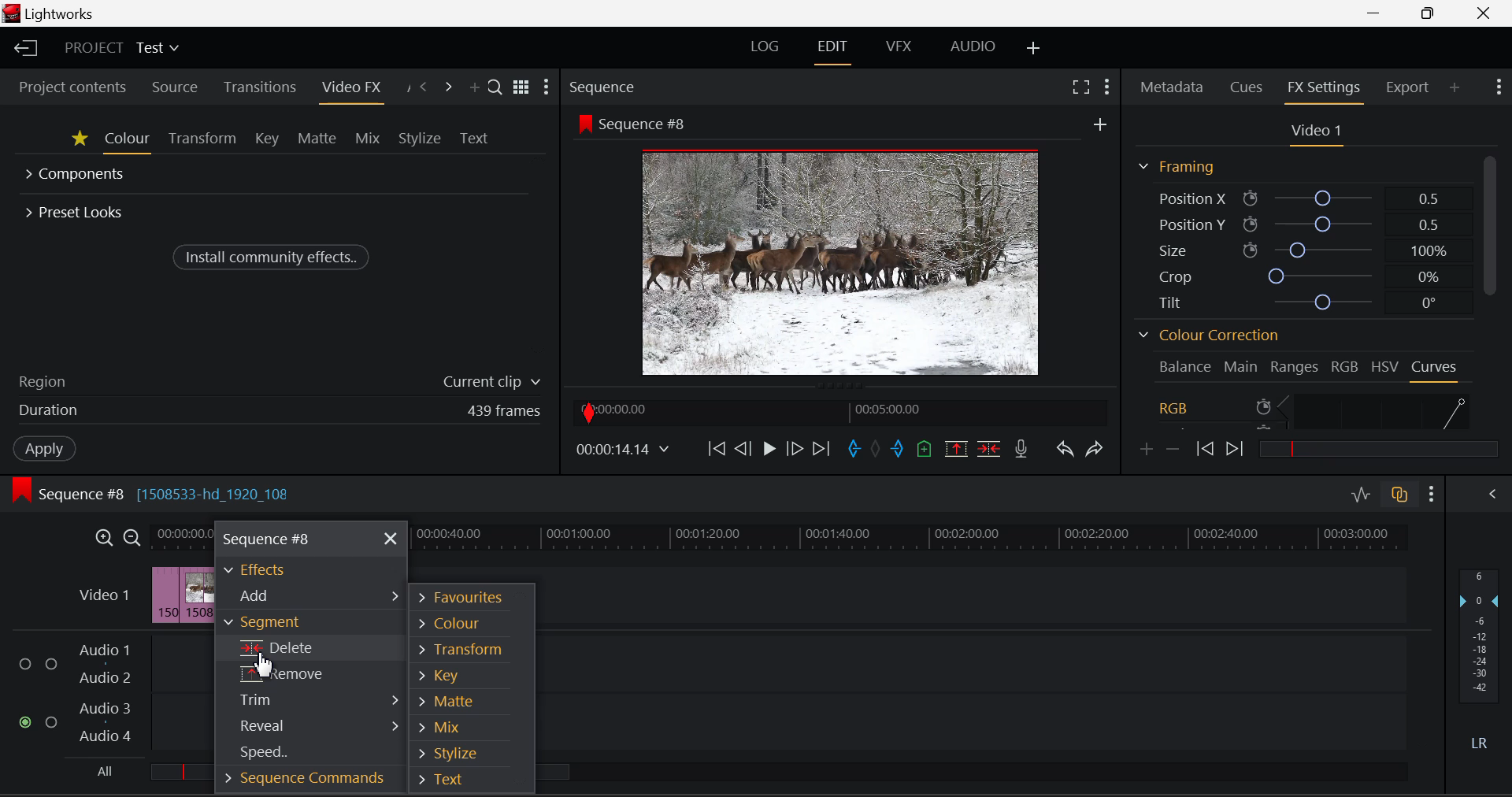 The width and height of the screenshot is (1512, 797). What do you see at coordinates (1324, 89) in the screenshot?
I see `FX Settings Open` at bounding box center [1324, 89].